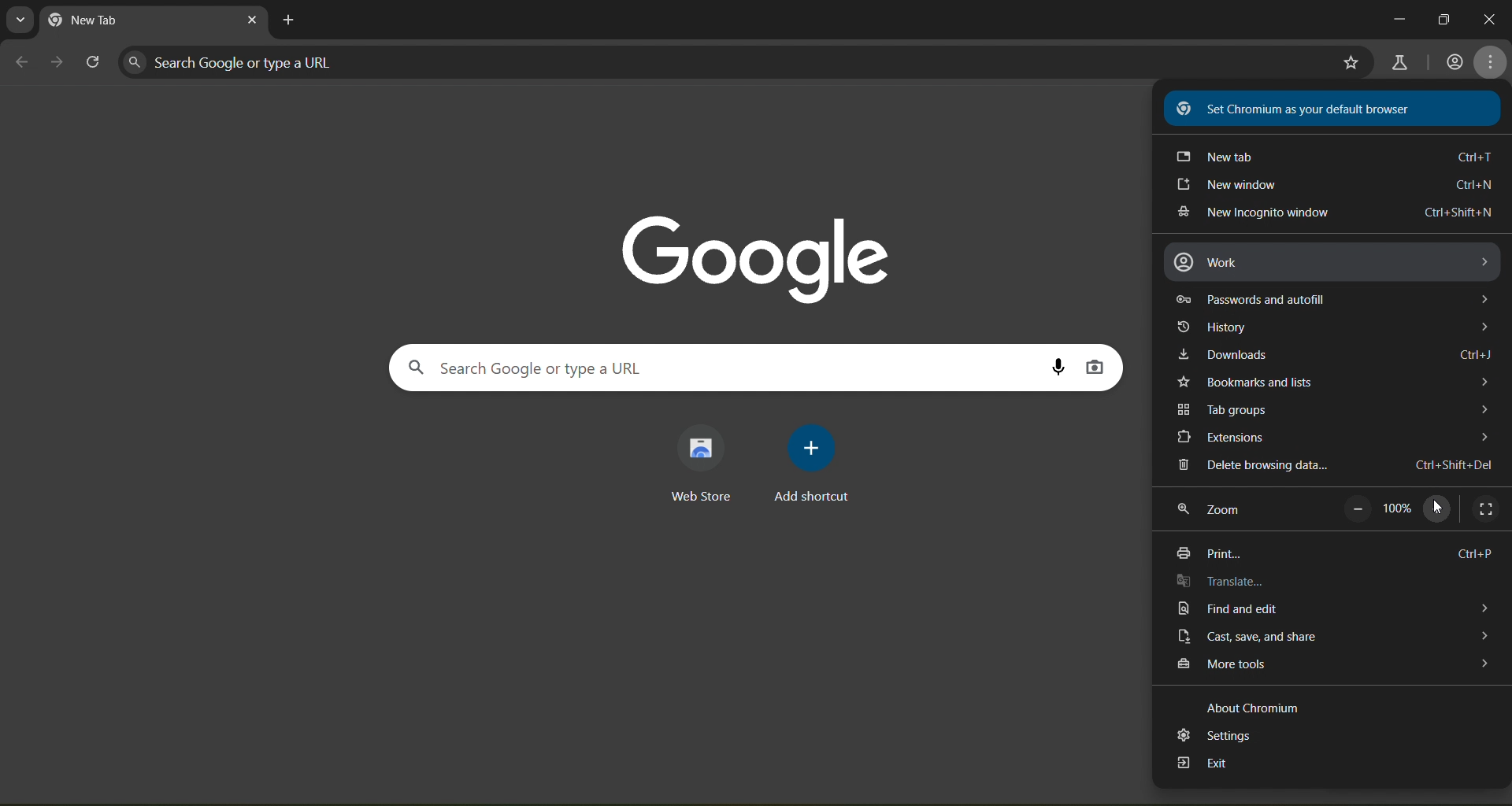 This screenshot has width=1512, height=806. I want to click on image search , so click(1095, 368).